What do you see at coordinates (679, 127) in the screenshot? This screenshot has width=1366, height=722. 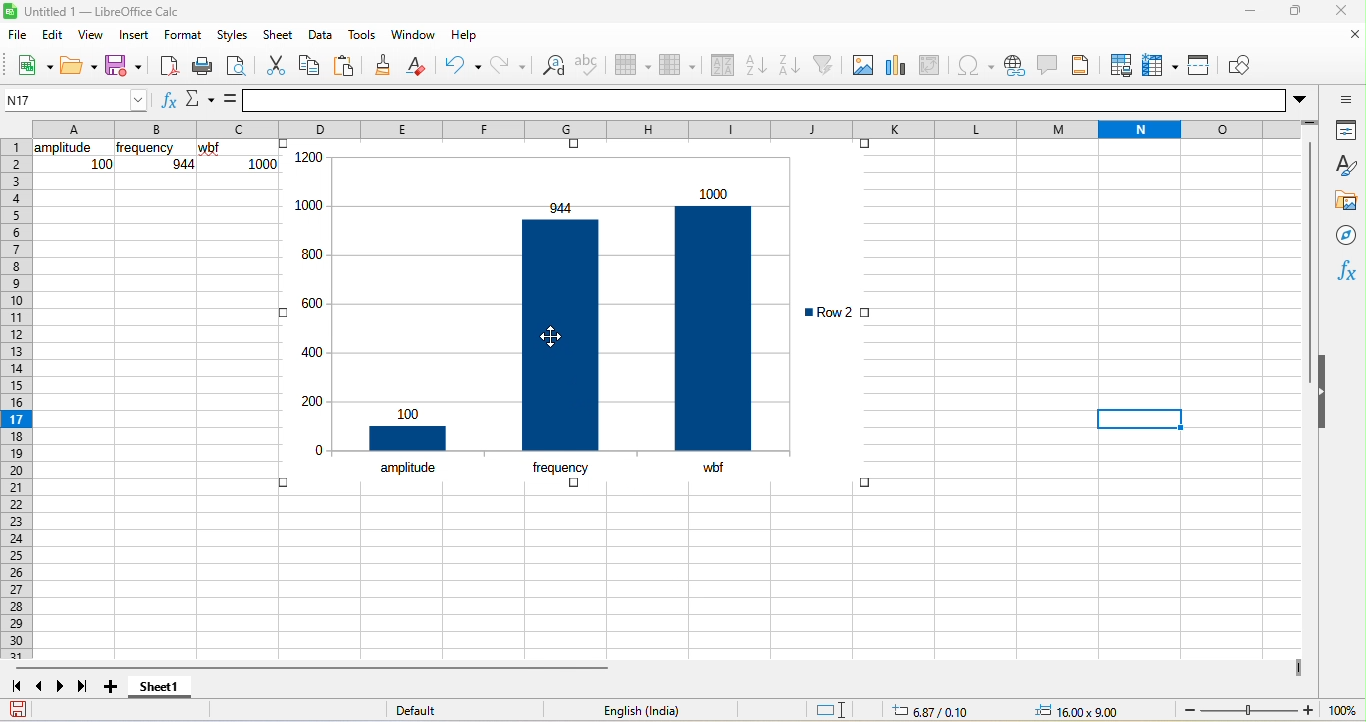 I see `column headings` at bounding box center [679, 127].